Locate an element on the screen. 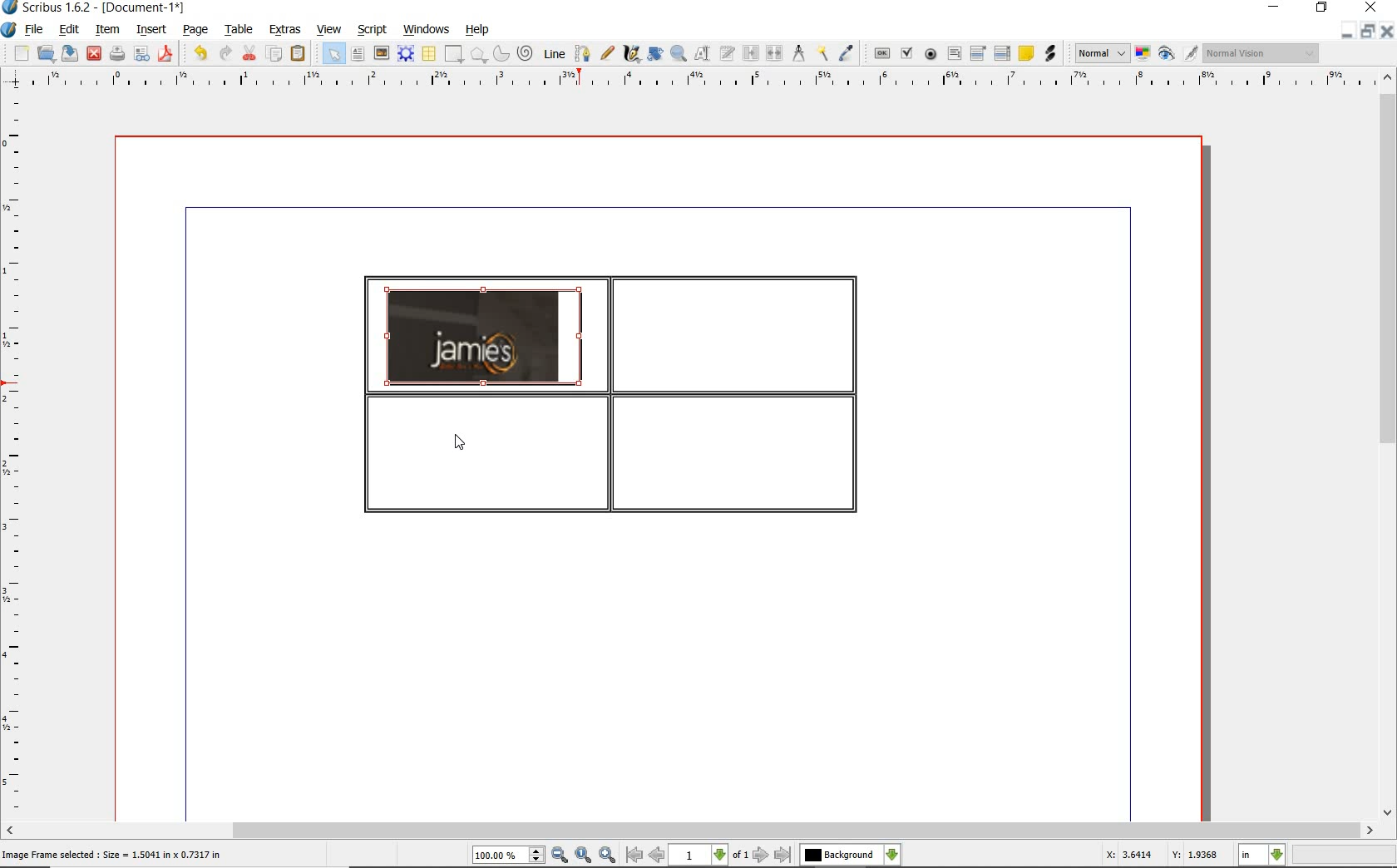 The width and height of the screenshot is (1397, 868). table is located at coordinates (430, 55).